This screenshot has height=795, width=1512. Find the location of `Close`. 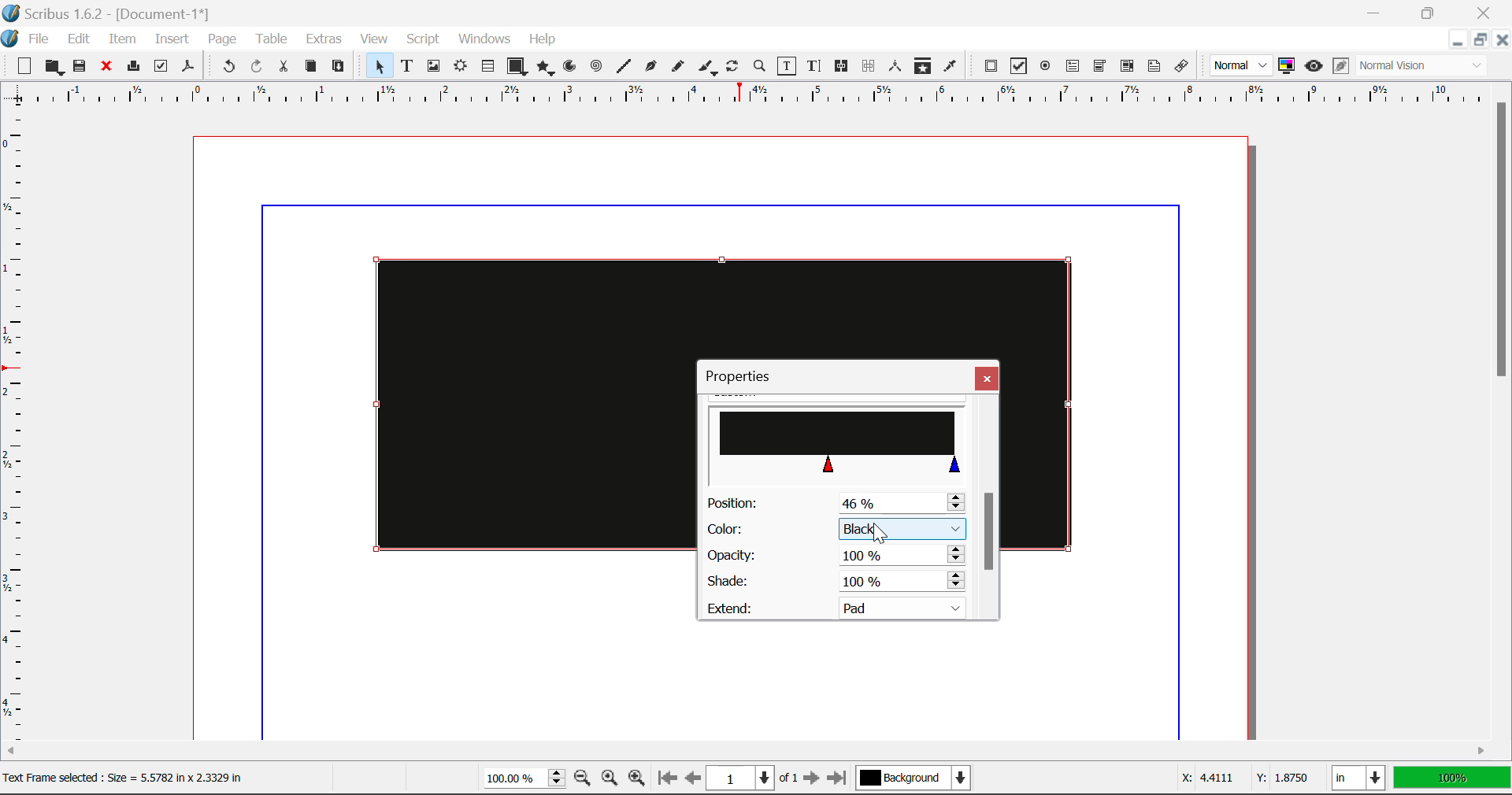

Close is located at coordinates (1487, 11).